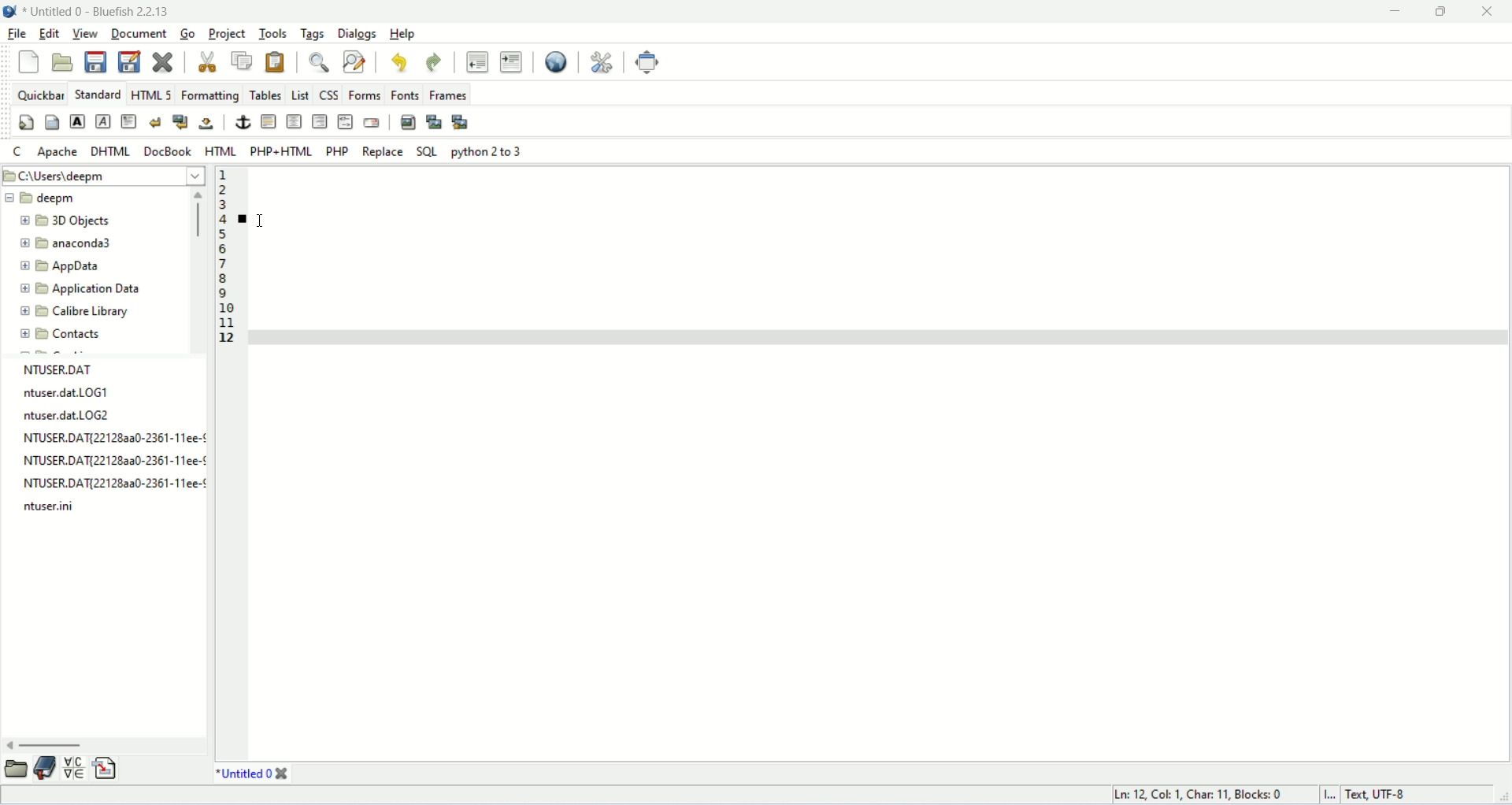 This screenshot has height=805, width=1512. What do you see at coordinates (59, 151) in the screenshot?
I see `apache` at bounding box center [59, 151].